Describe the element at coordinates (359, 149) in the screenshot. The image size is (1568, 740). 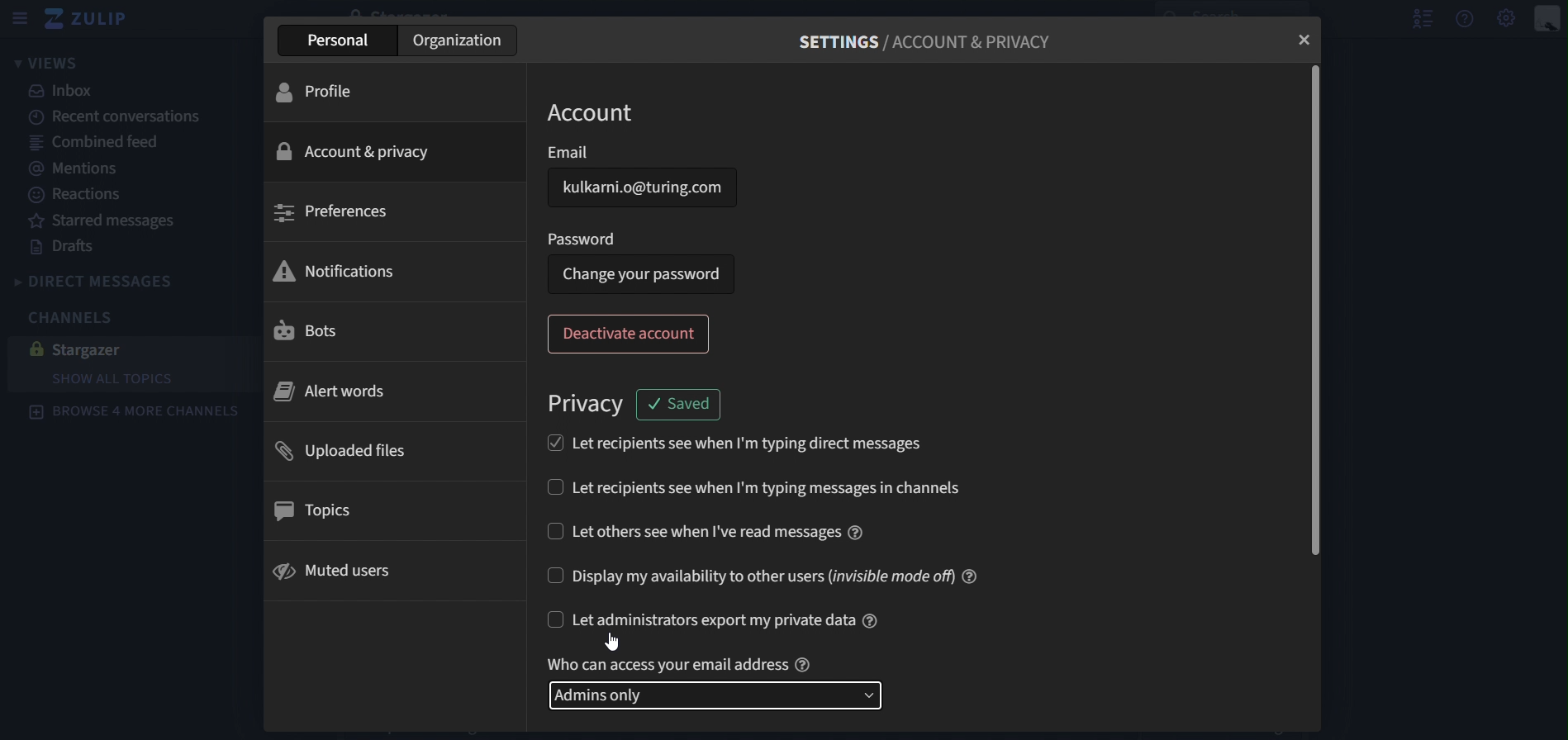
I see `account & privacy` at that location.